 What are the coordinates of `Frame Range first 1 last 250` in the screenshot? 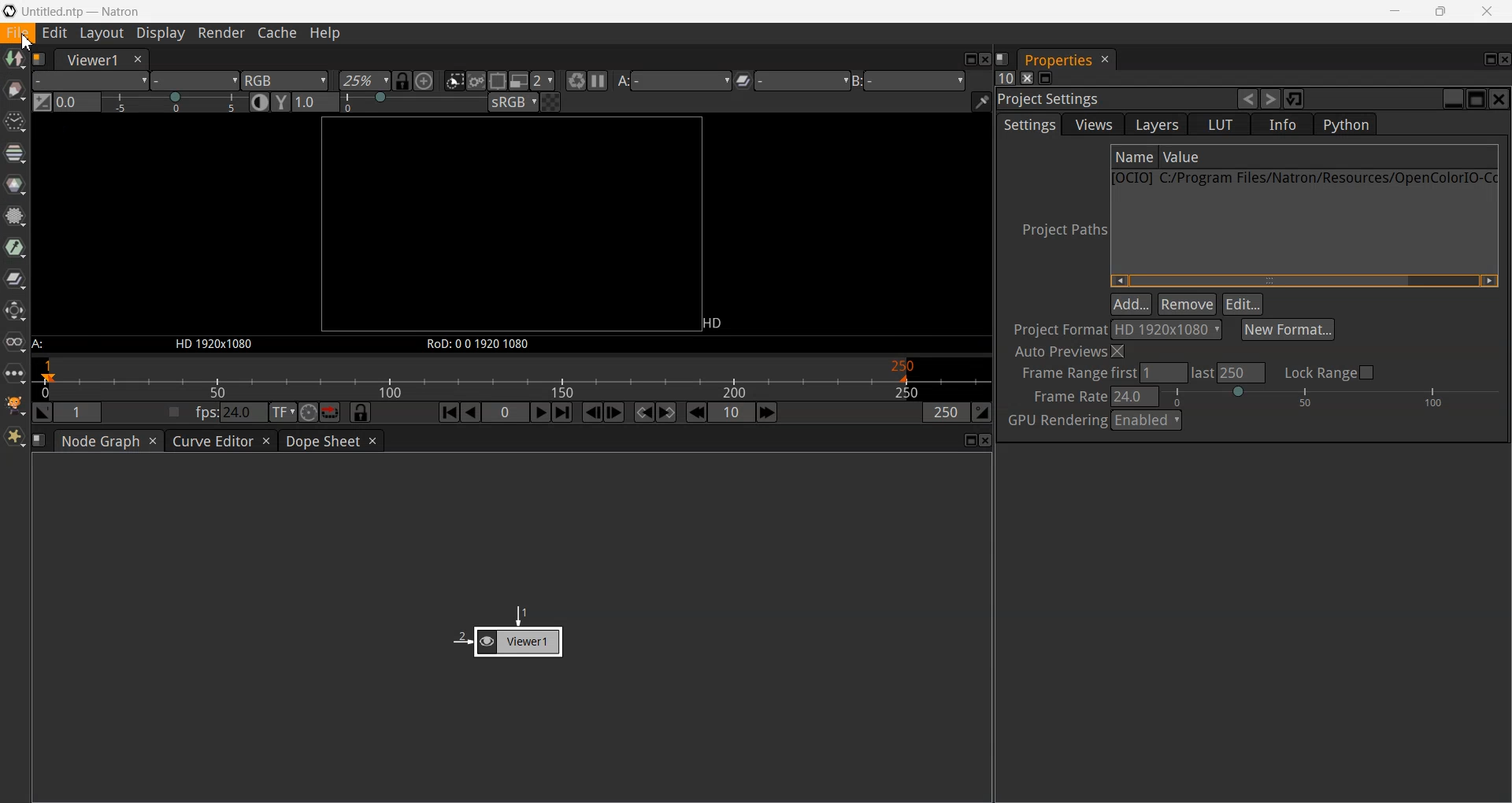 It's located at (1135, 373).